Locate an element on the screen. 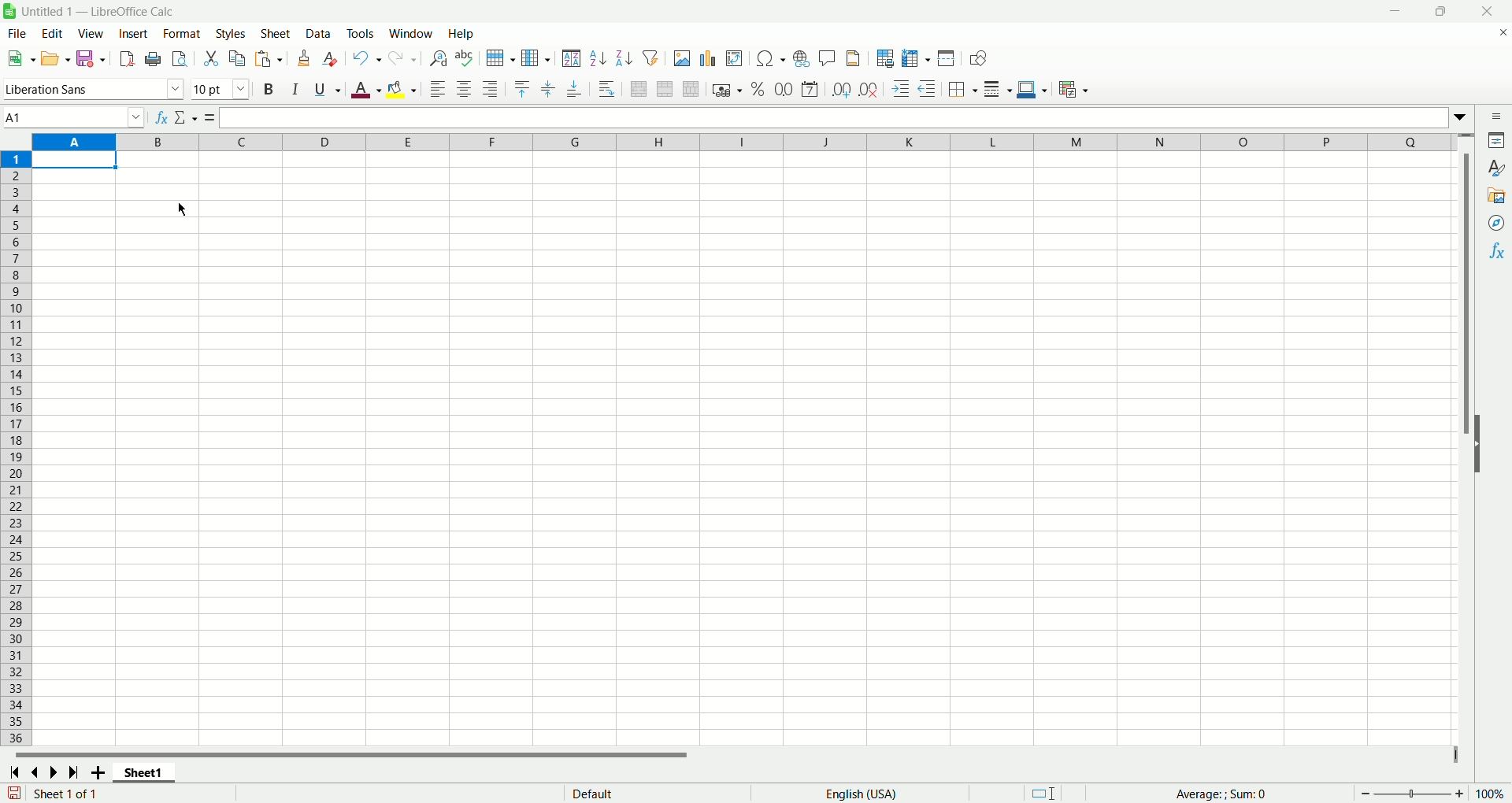  bold is located at coordinates (267, 91).